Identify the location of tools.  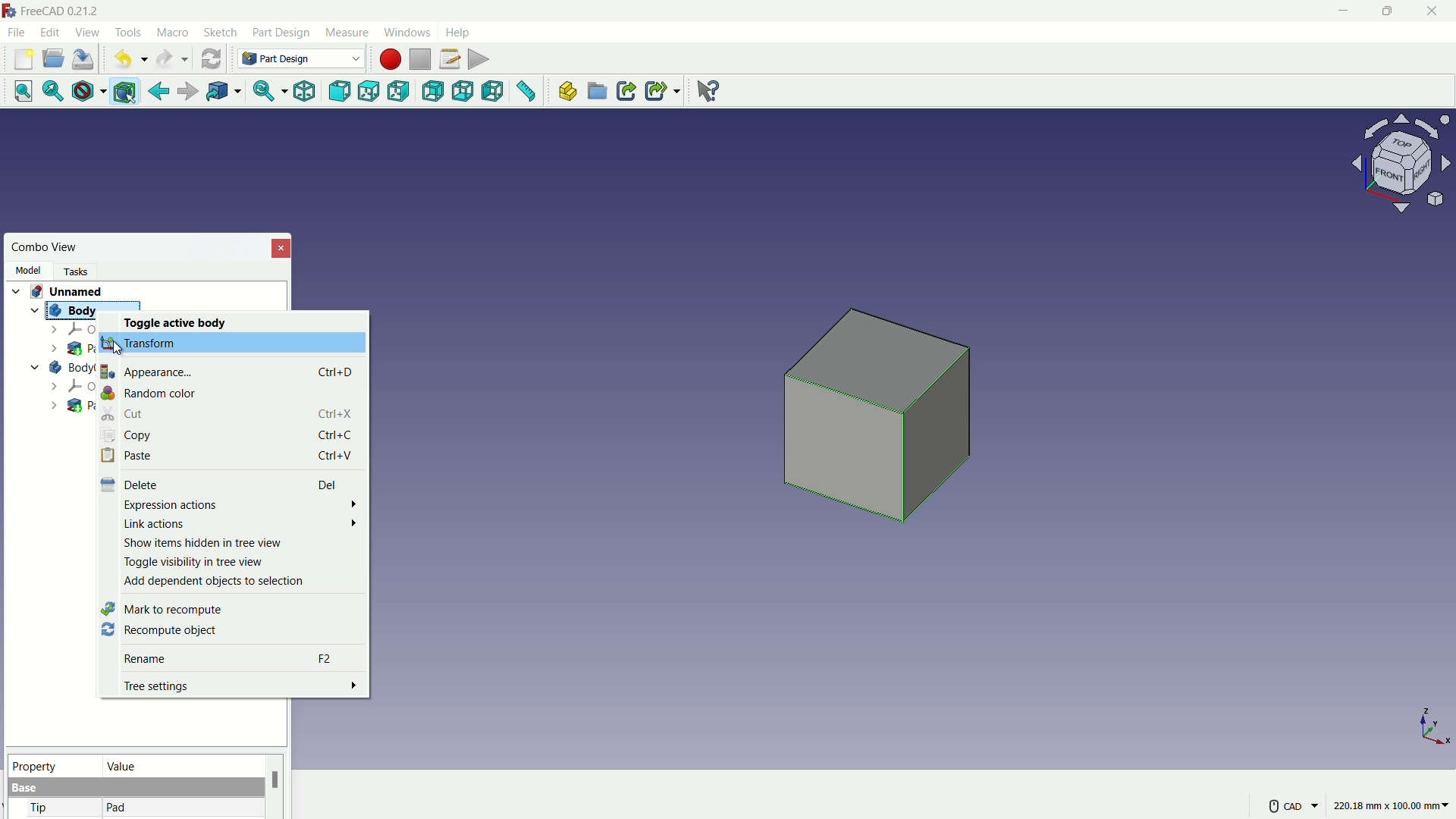
(130, 33).